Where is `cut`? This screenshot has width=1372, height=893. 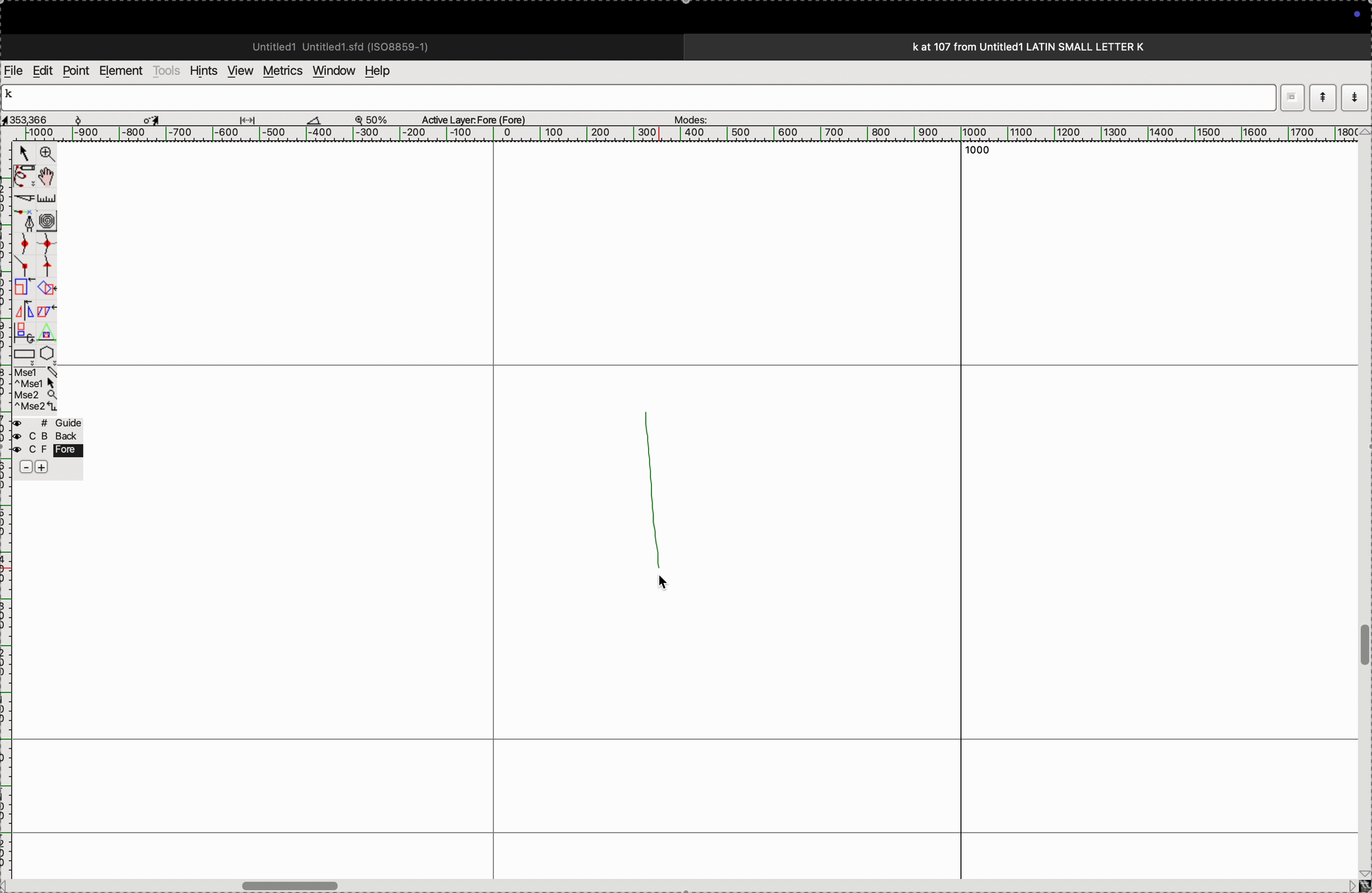
cut is located at coordinates (22, 198).